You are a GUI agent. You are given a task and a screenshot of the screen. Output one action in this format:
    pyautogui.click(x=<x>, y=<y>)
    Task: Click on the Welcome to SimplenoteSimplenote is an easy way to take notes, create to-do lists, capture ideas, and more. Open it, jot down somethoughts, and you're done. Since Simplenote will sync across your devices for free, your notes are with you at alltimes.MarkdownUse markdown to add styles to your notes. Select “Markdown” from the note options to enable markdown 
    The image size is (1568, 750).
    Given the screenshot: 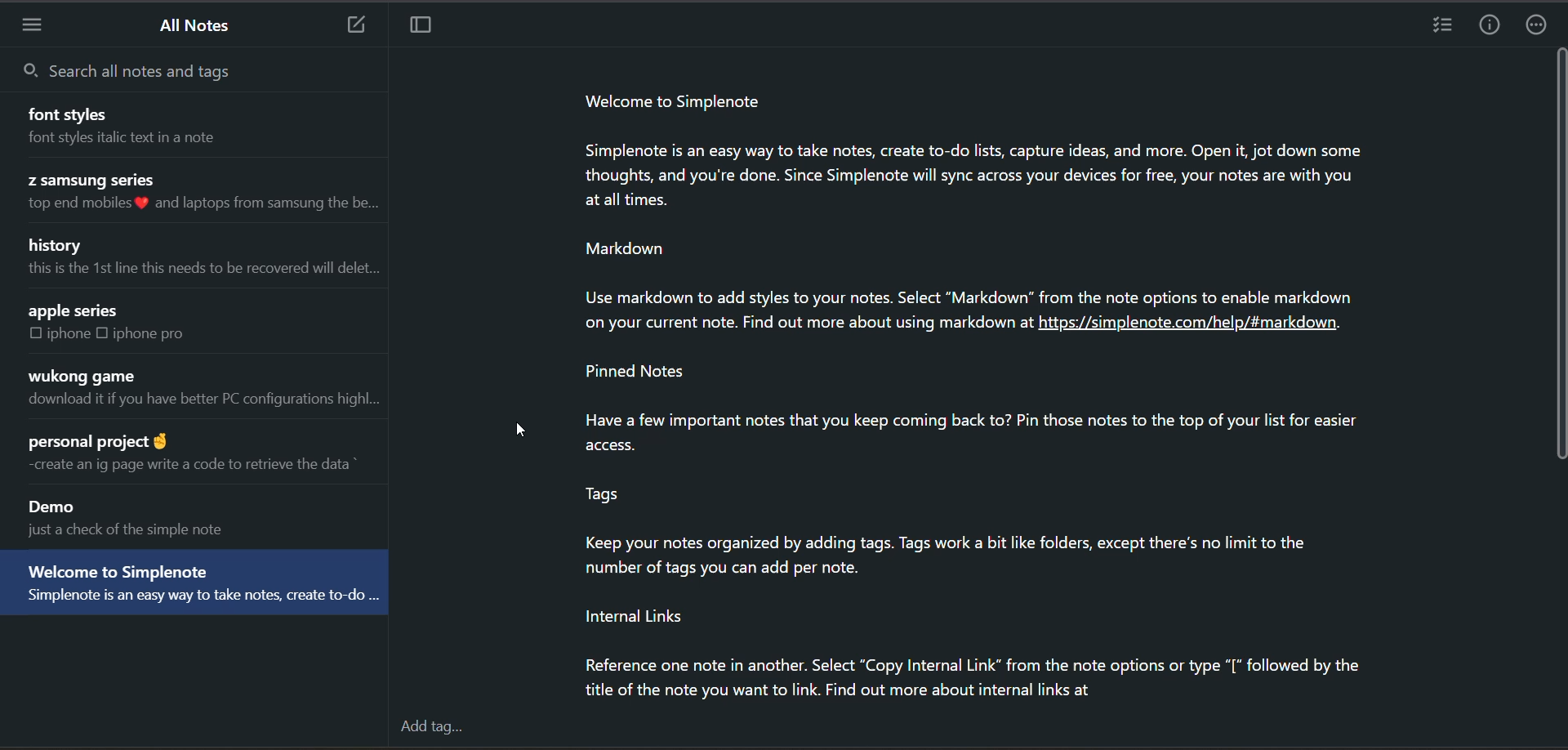 What is the action you would take?
    pyautogui.click(x=964, y=199)
    